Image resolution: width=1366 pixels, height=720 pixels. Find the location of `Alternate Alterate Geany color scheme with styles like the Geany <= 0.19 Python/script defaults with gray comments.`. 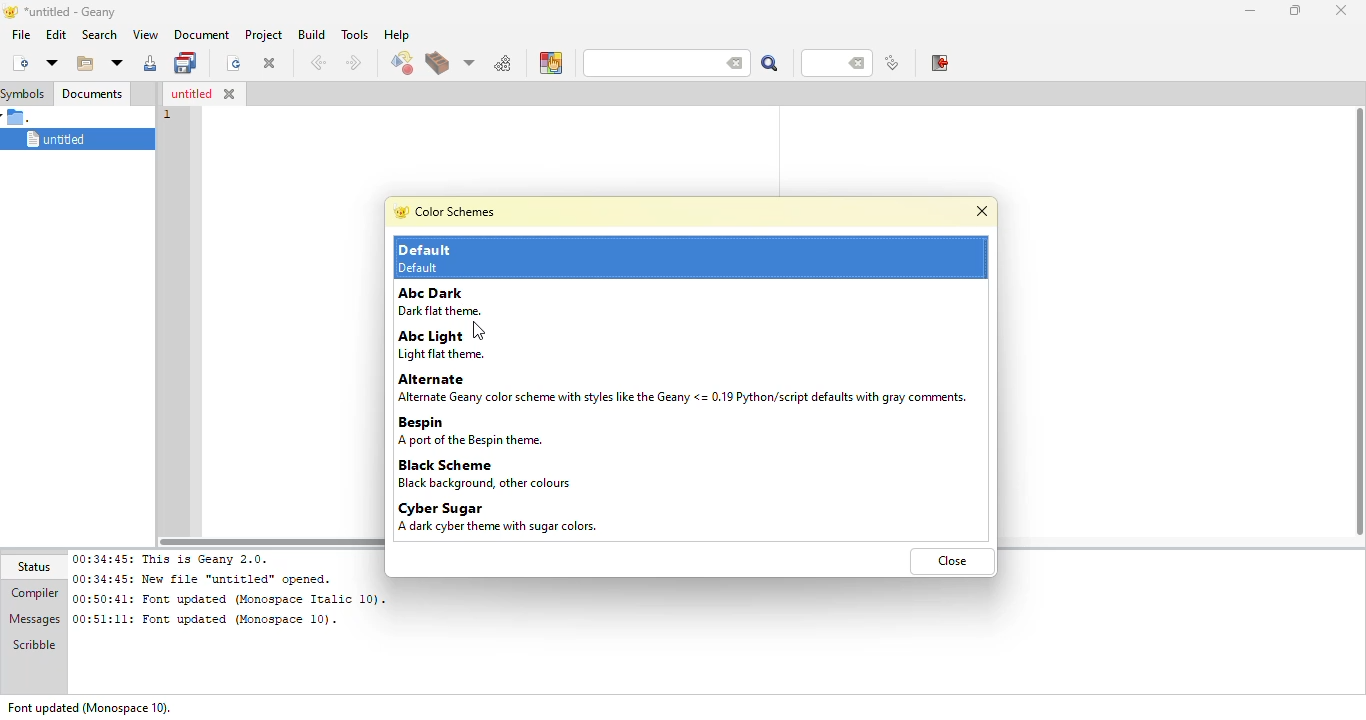

Alternate Alterate Geany color scheme with styles like the Geany <= 0.19 Python/script defaults with gray comments. is located at coordinates (687, 389).